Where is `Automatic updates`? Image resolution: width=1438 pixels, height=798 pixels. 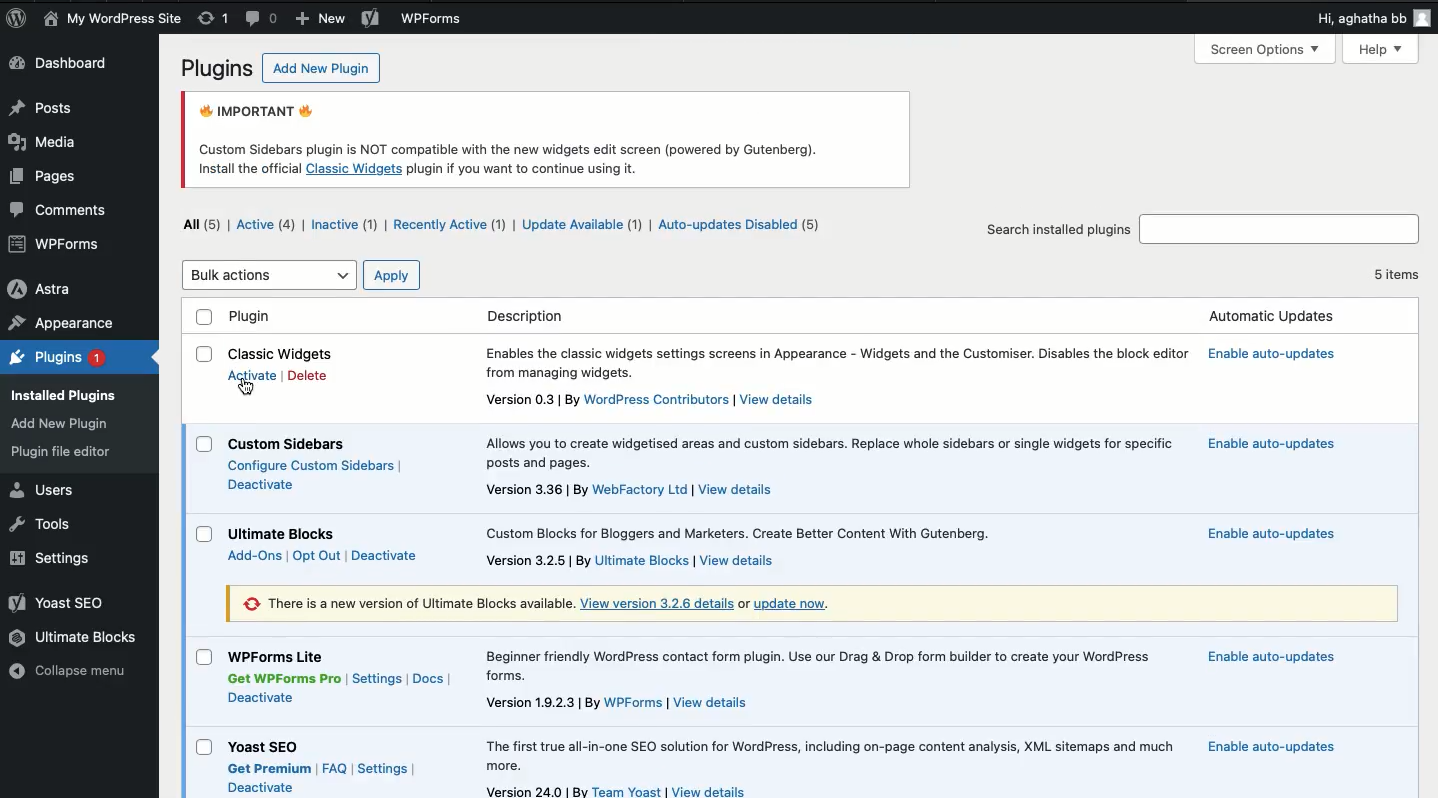 Automatic updates is located at coordinates (1264, 534).